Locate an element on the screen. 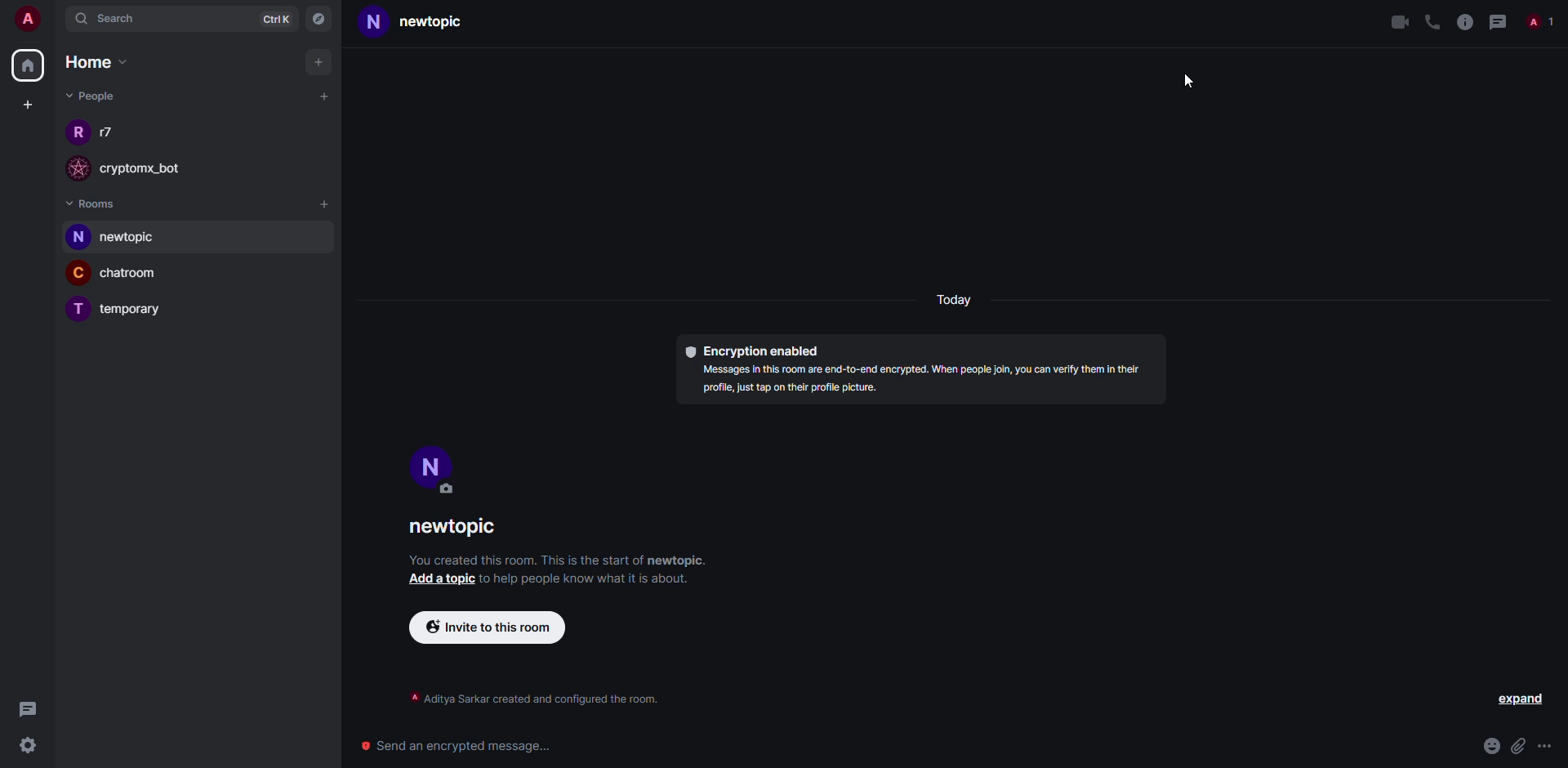 The image size is (1568, 768). emoji is located at coordinates (1491, 746).